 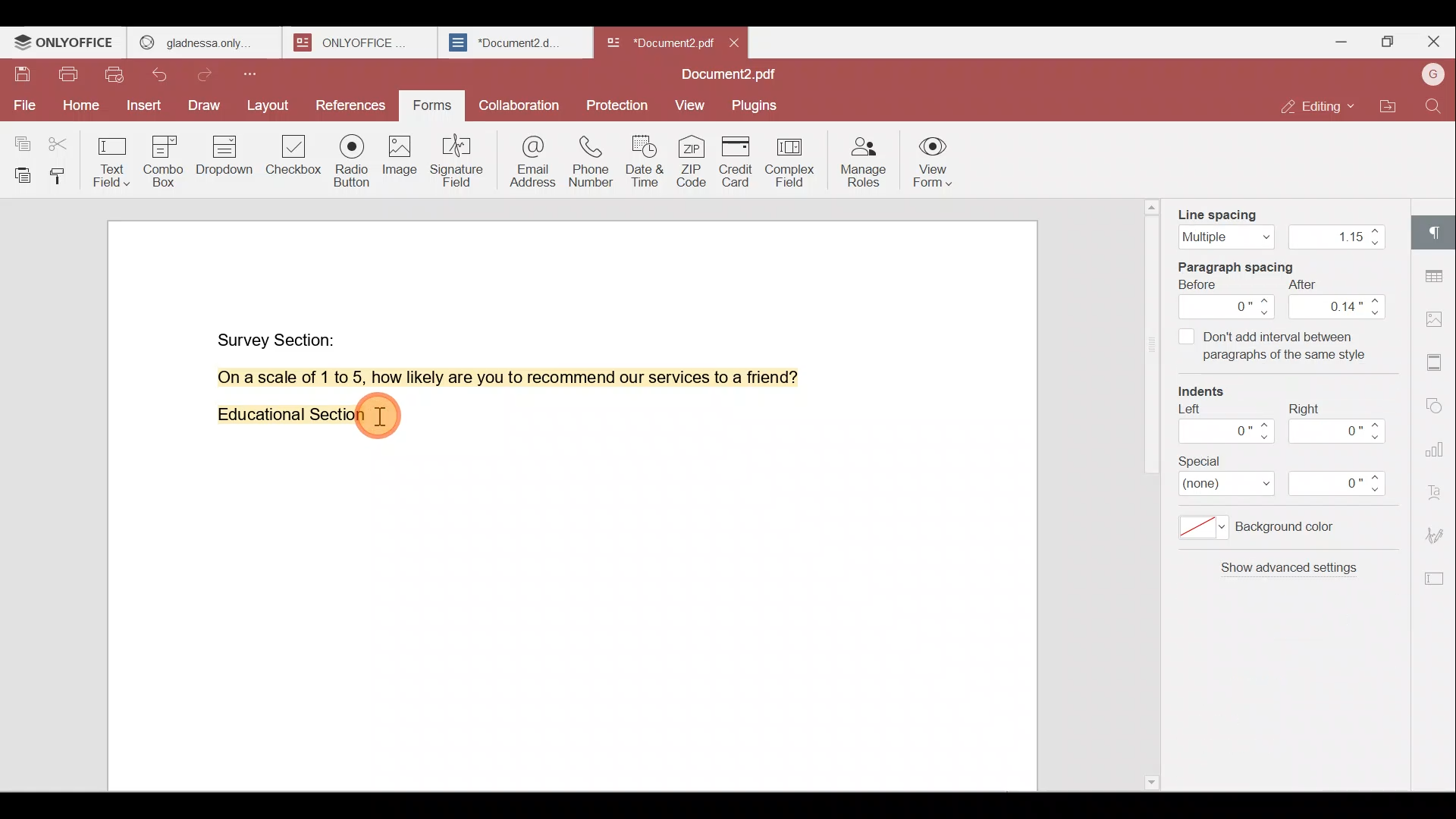 I want to click on Dropdown, so click(x=227, y=155).